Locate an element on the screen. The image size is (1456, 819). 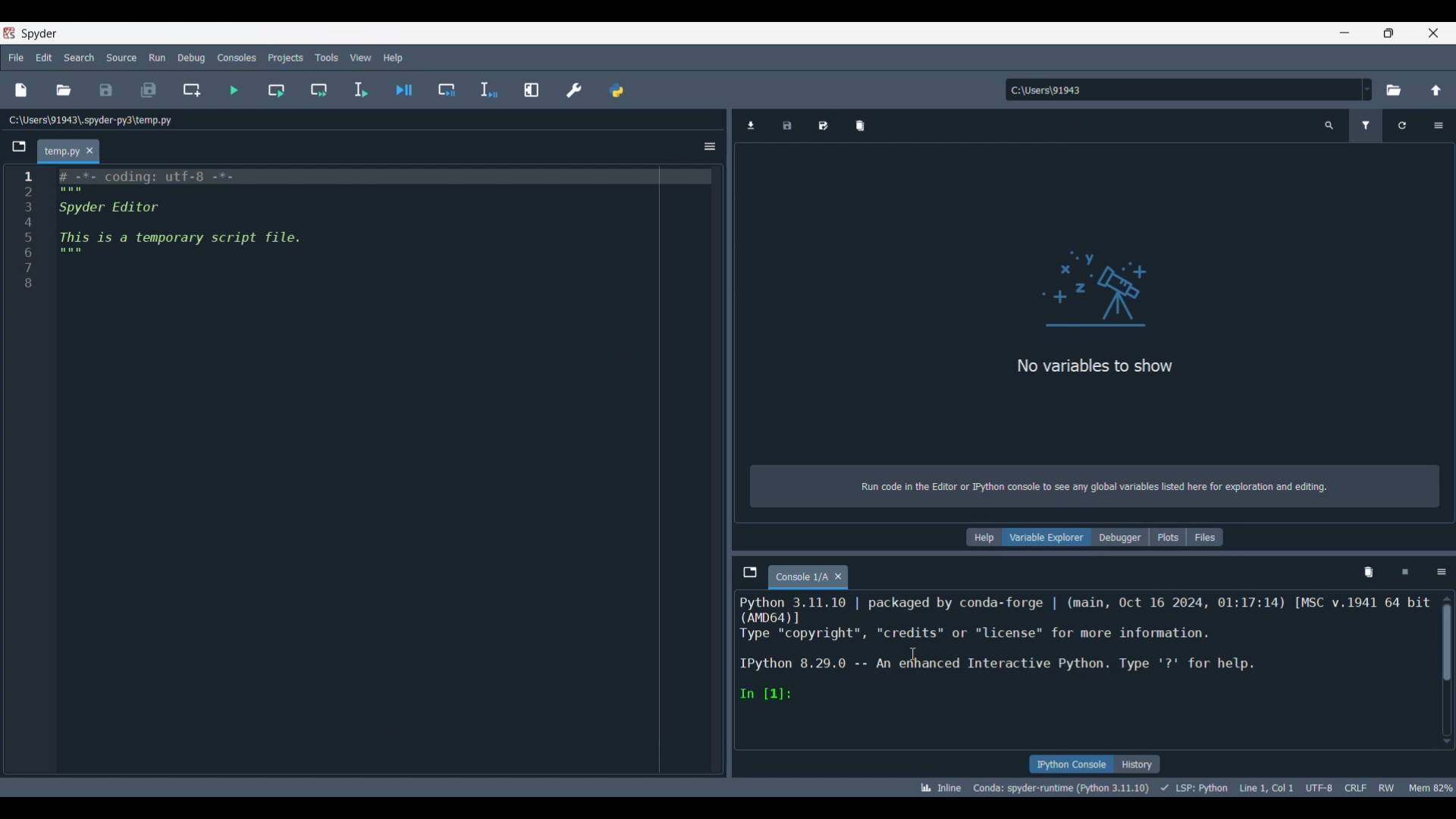
Current tab is located at coordinates (61, 152).